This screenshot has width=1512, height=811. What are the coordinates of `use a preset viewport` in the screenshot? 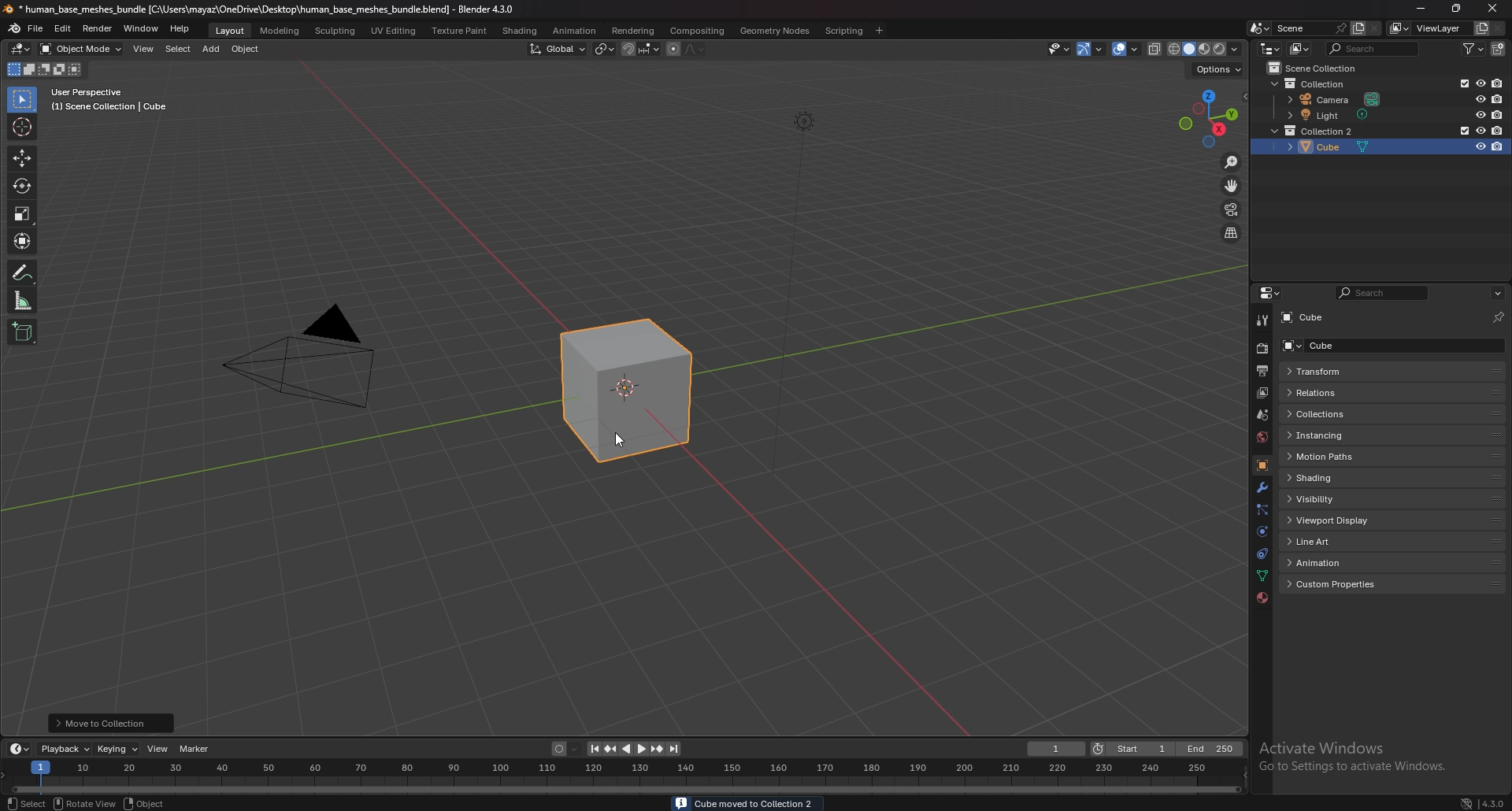 It's located at (1209, 117).